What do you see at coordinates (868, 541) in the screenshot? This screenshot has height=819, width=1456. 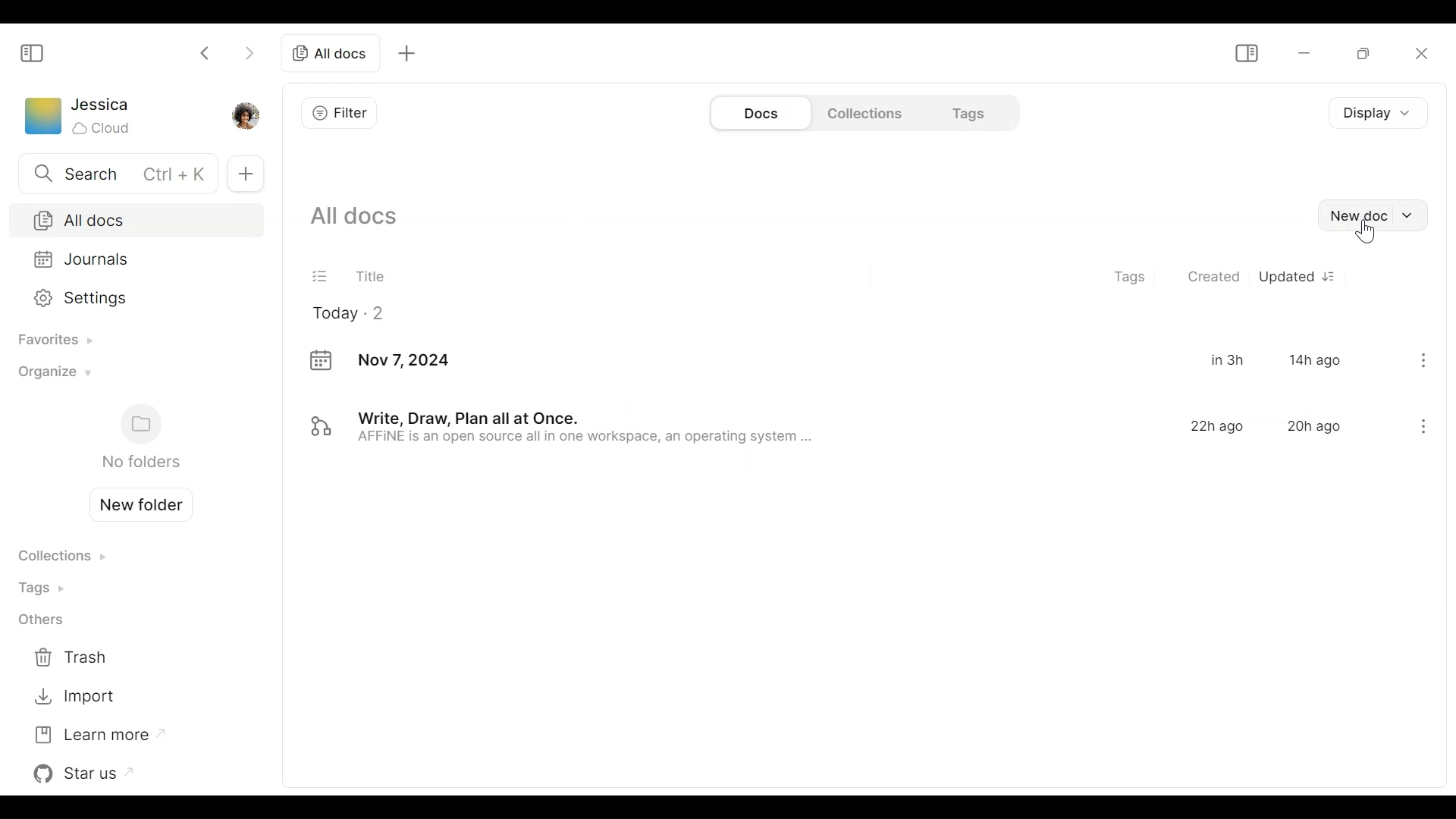 I see `Documents in the thumbnail` at bounding box center [868, 541].